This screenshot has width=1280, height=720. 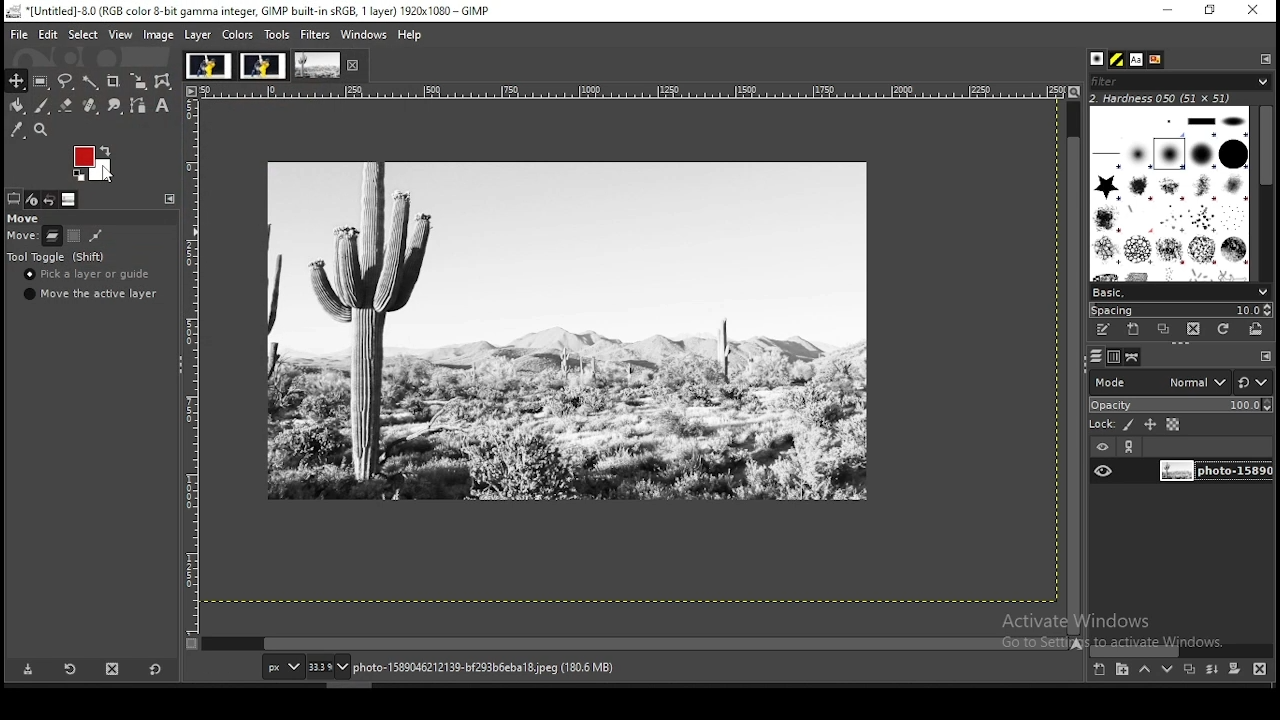 I want to click on layer visibility, so click(x=1101, y=448).